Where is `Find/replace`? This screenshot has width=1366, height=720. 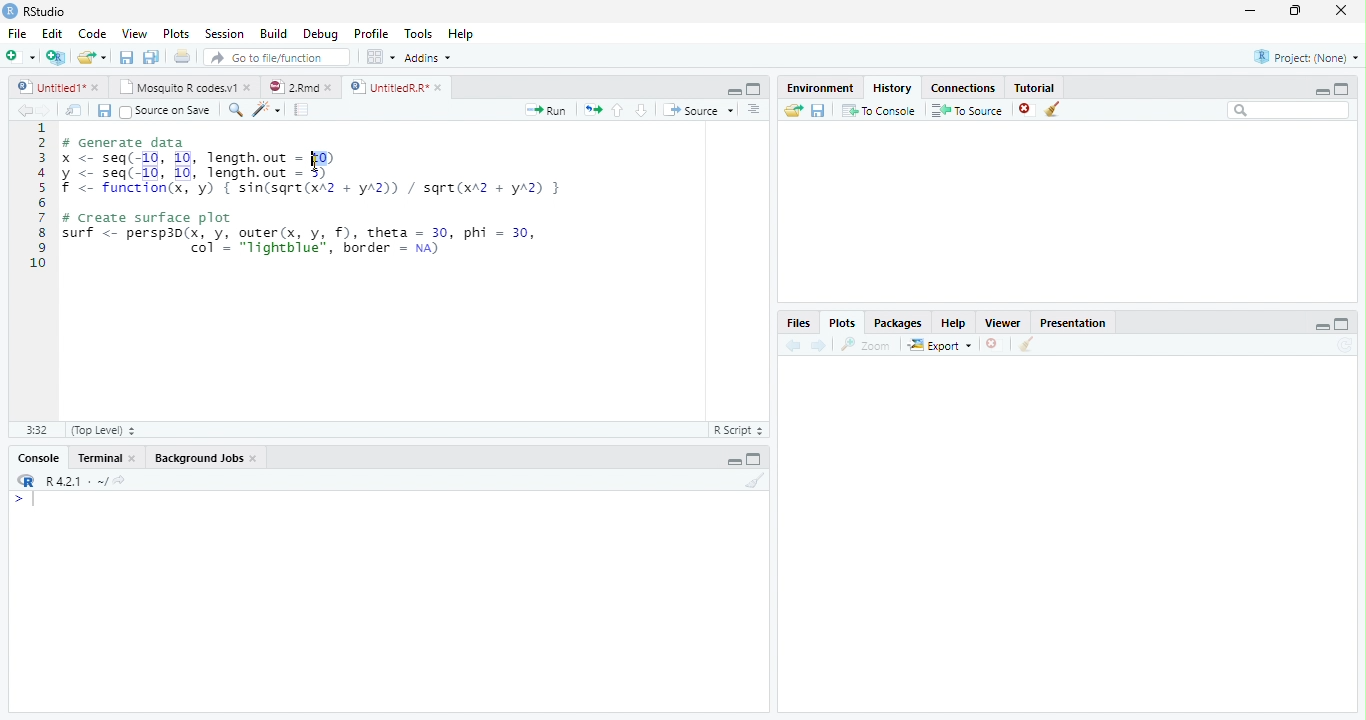 Find/replace is located at coordinates (234, 110).